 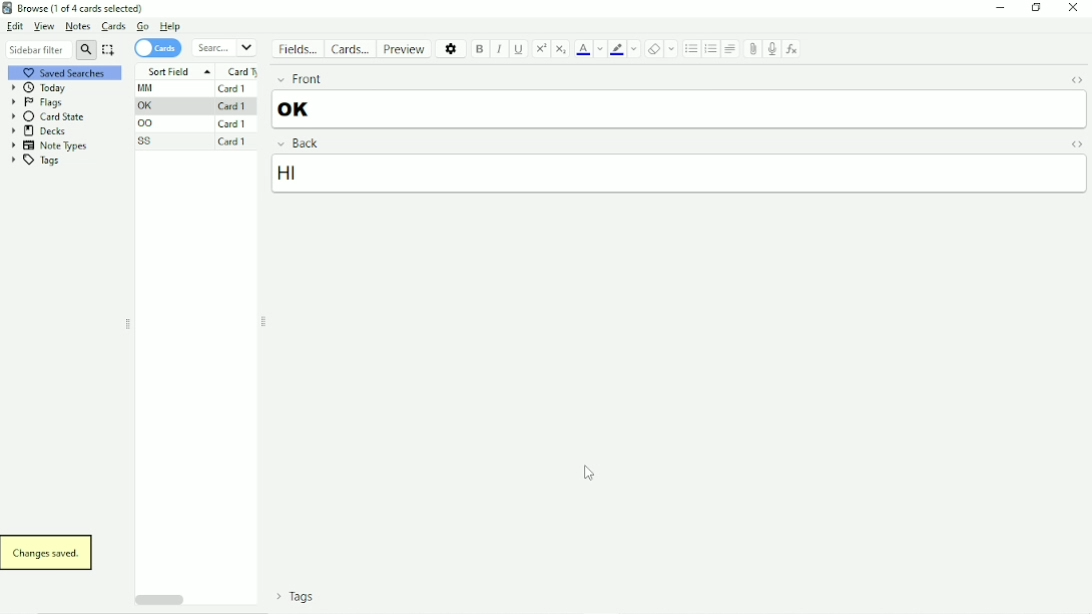 What do you see at coordinates (711, 49) in the screenshot?
I see `Ordered list` at bounding box center [711, 49].